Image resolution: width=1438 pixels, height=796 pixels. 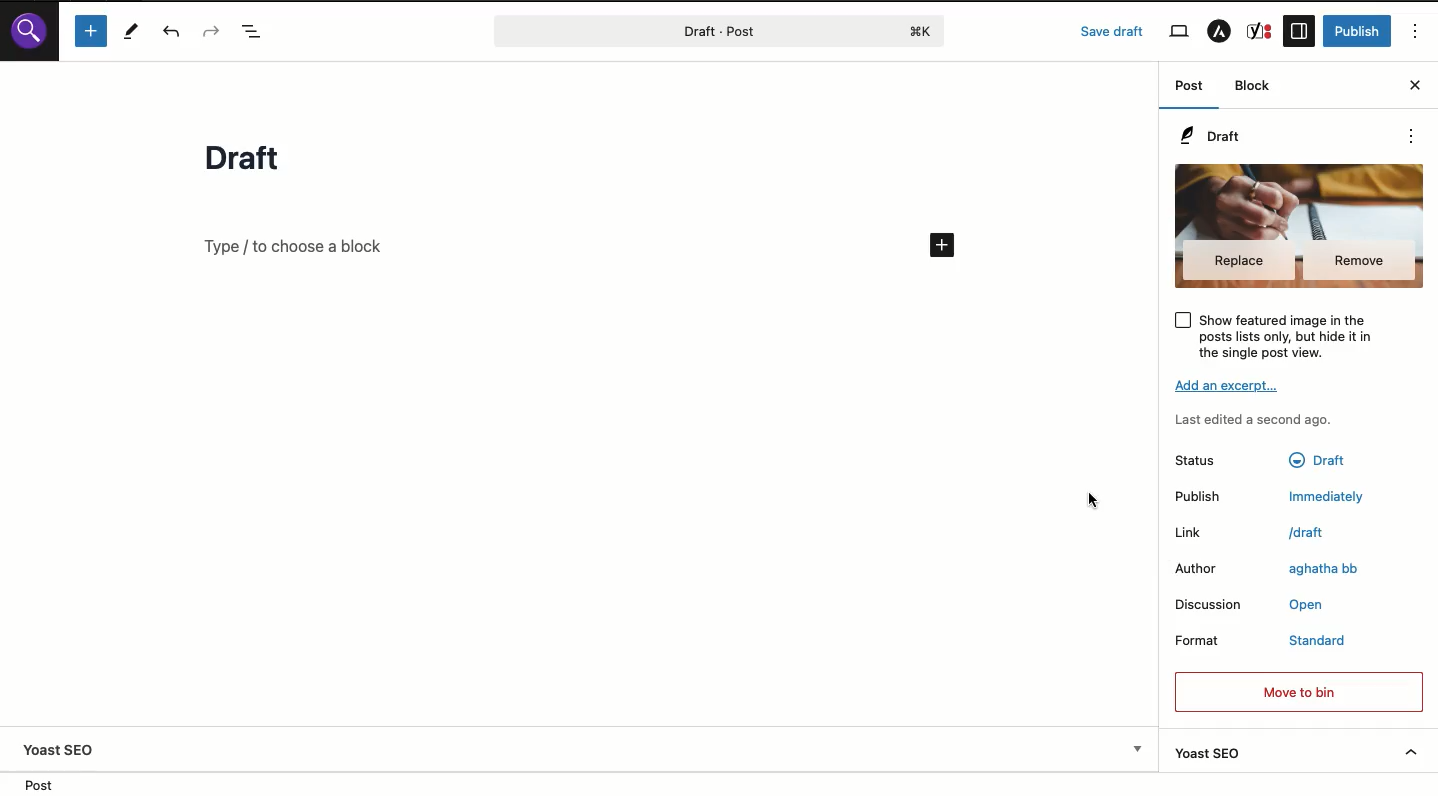 I want to click on Undo, so click(x=175, y=32).